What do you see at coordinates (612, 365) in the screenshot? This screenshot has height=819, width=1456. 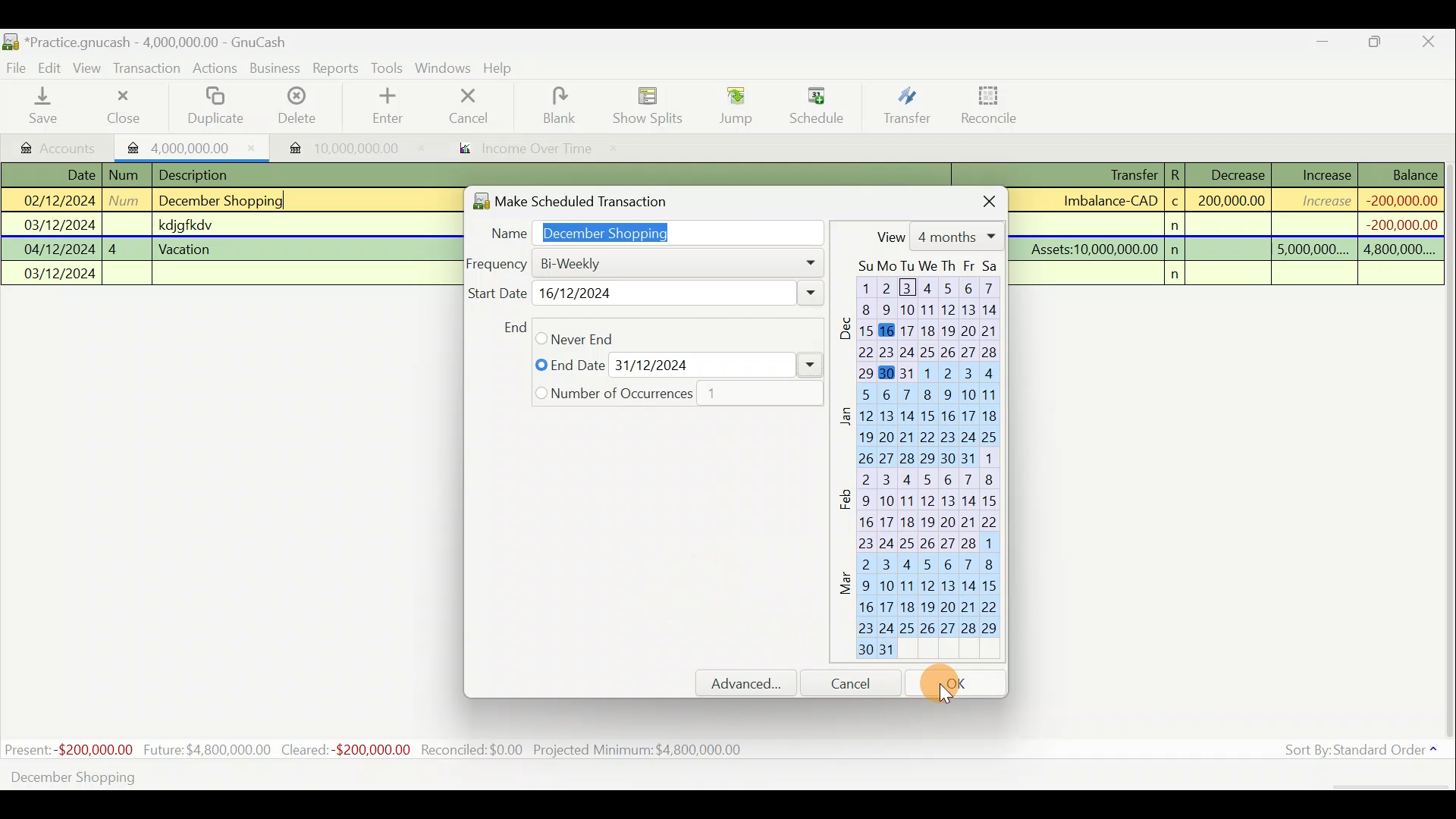 I see `Quarterly` at bounding box center [612, 365].